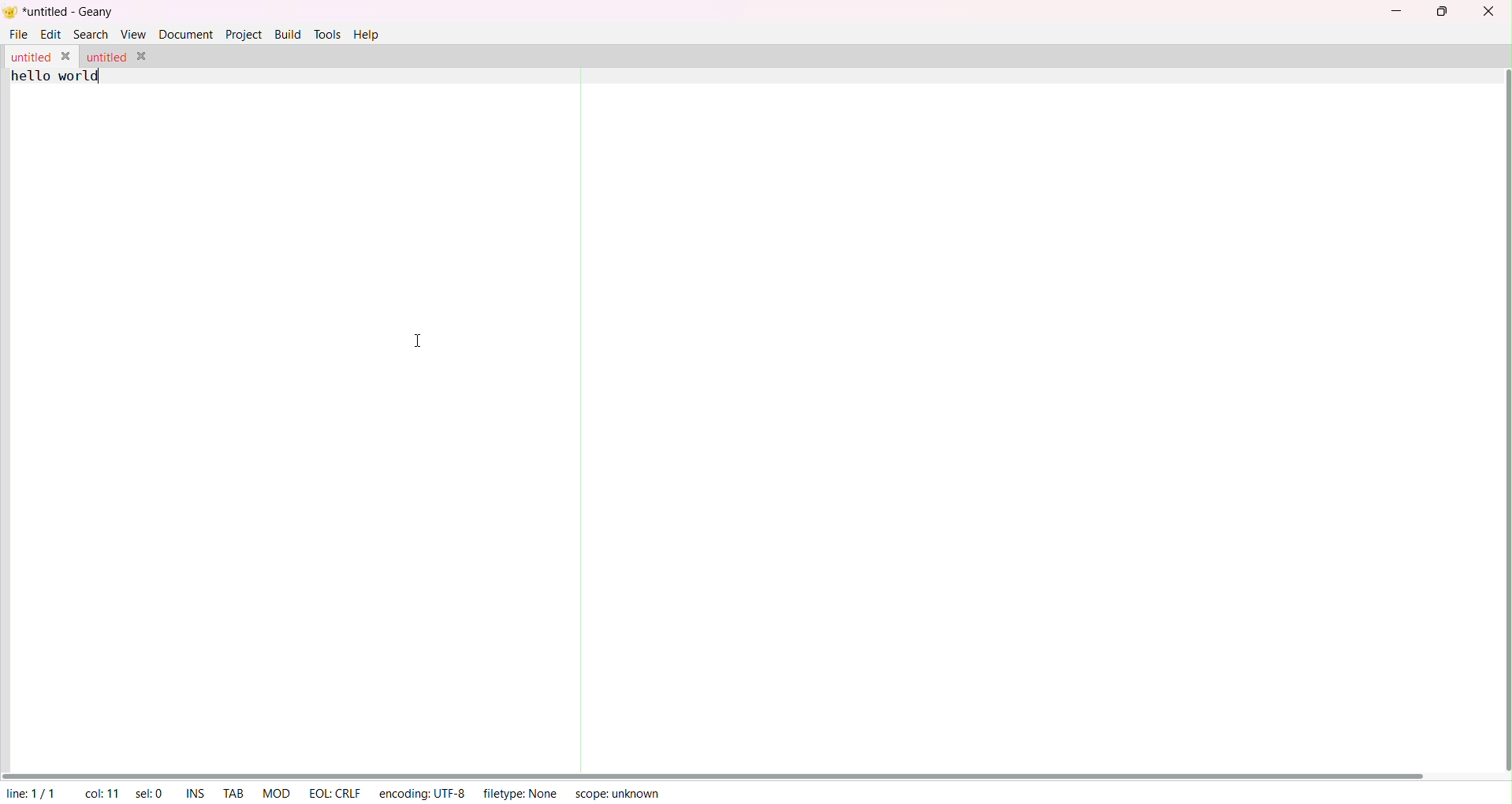  I want to click on project, so click(244, 35).